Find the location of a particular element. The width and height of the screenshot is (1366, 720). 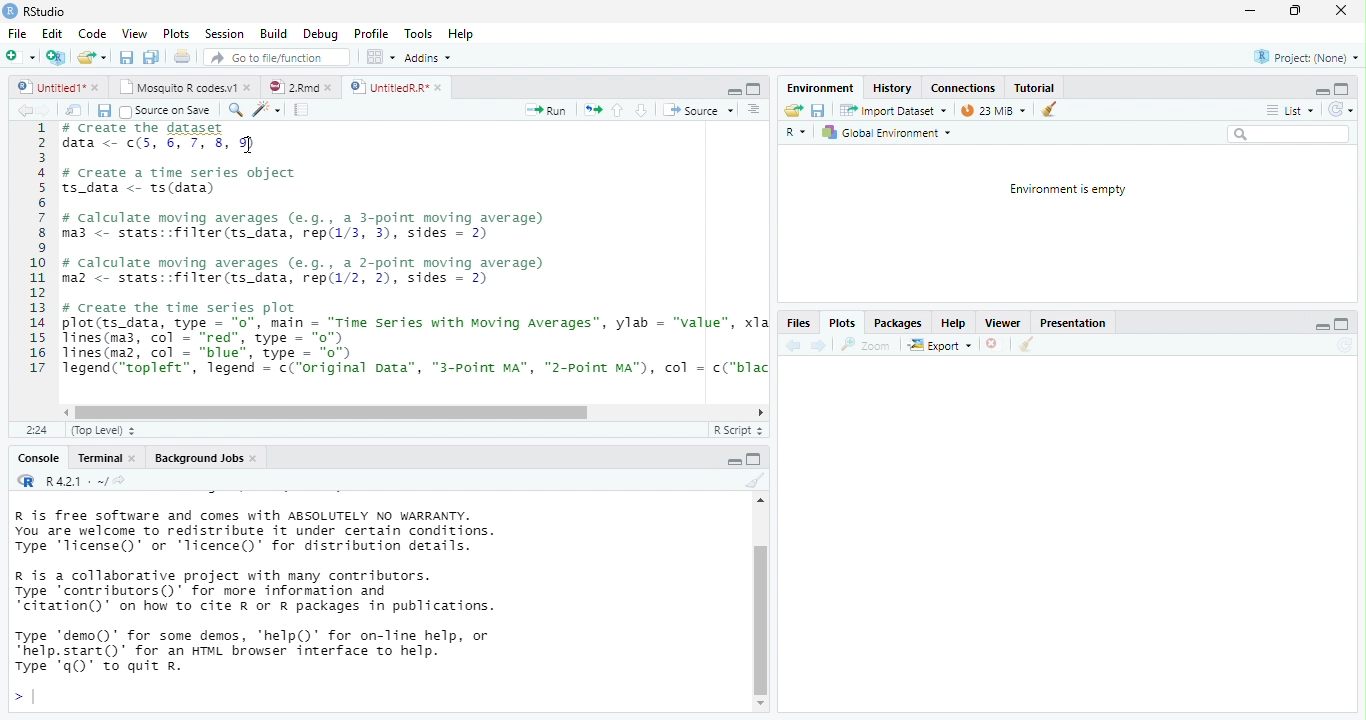

close is located at coordinates (995, 346).